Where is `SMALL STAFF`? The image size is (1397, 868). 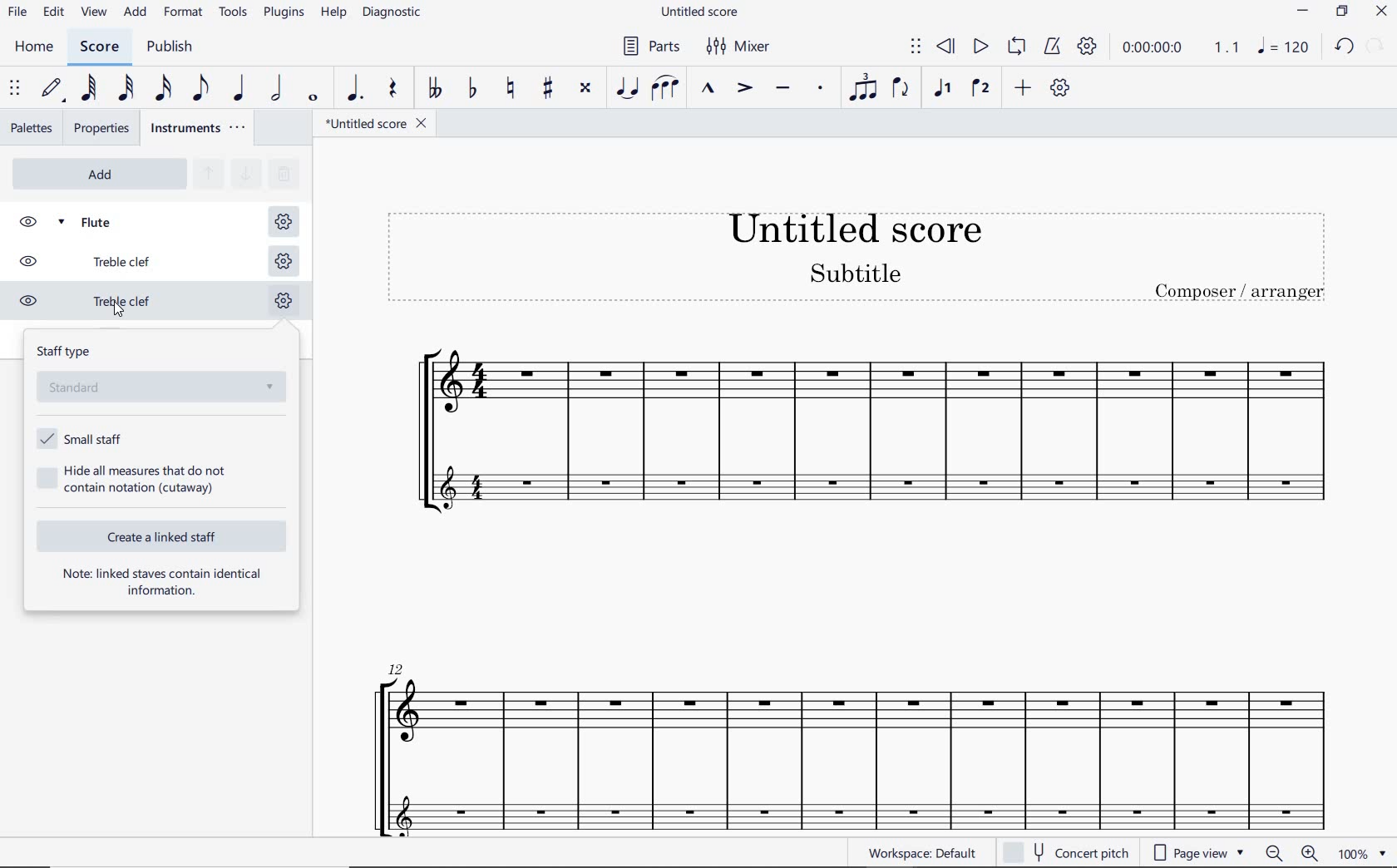 SMALL STAFF is located at coordinates (80, 438).